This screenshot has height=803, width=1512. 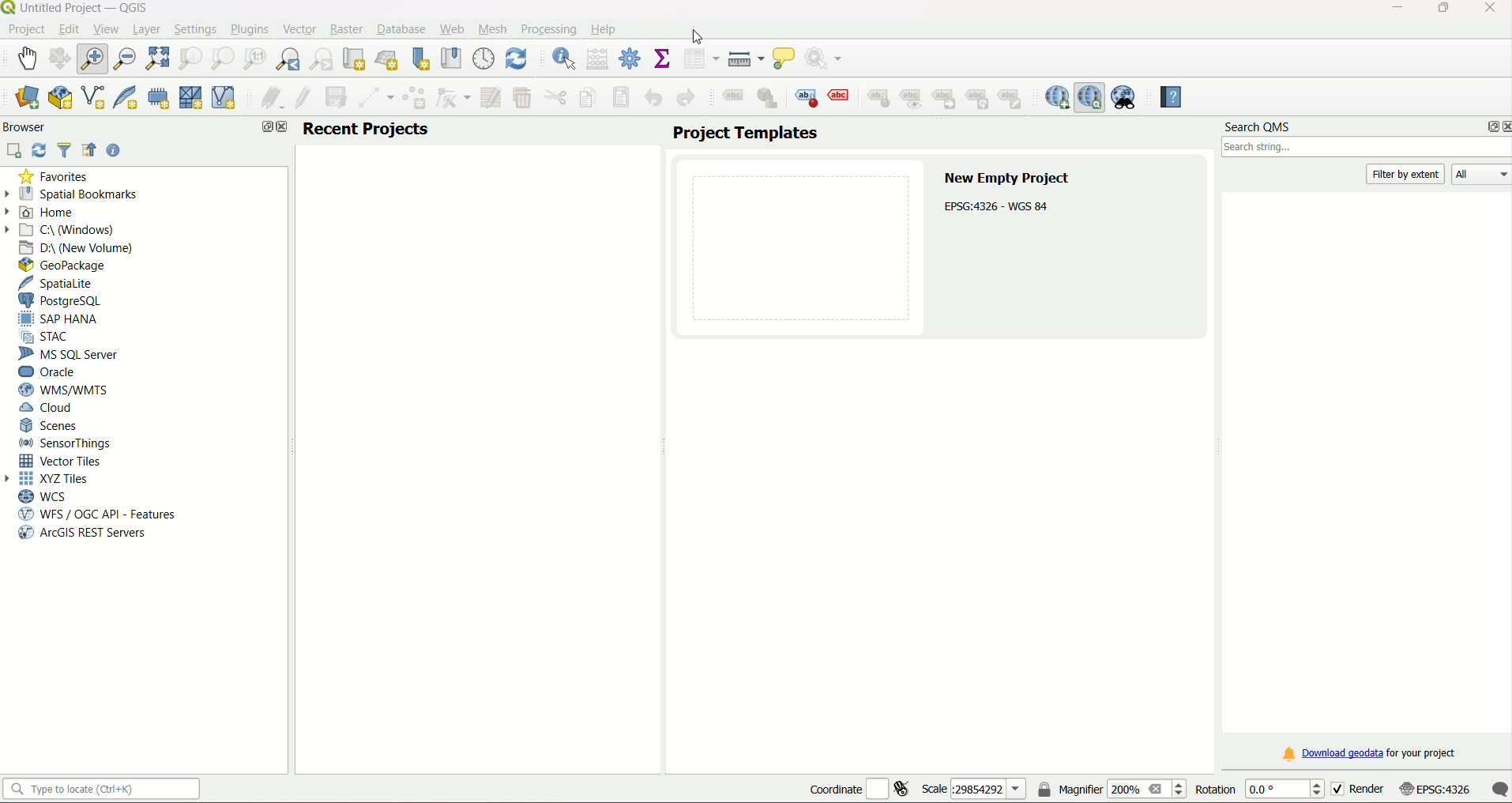 I want to click on new map view, so click(x=355, y=58).